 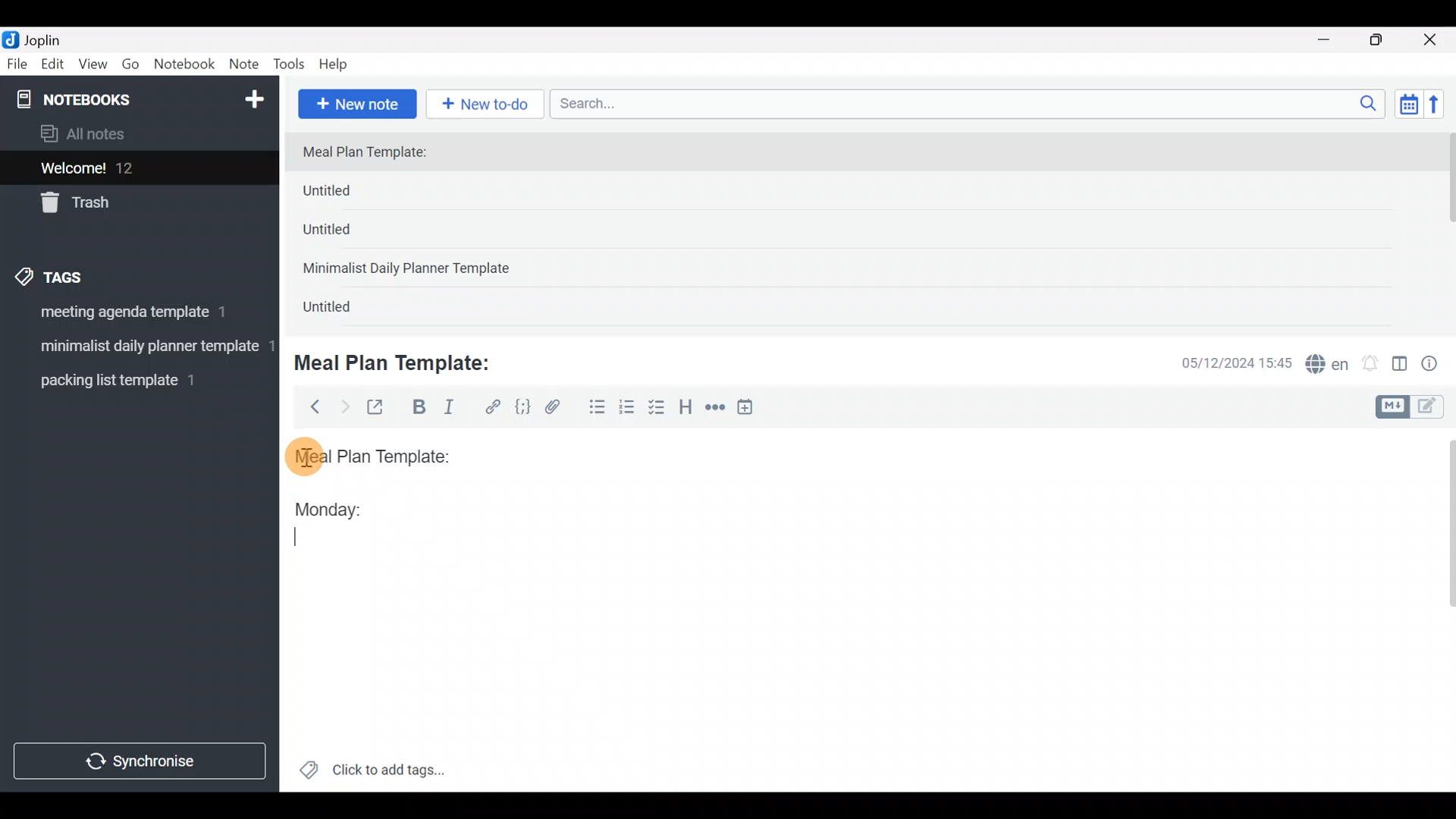 What do you see at coordinates (1328, 366) in the screenshot?
I see `Spelling` at bounding box center [1328, 366].